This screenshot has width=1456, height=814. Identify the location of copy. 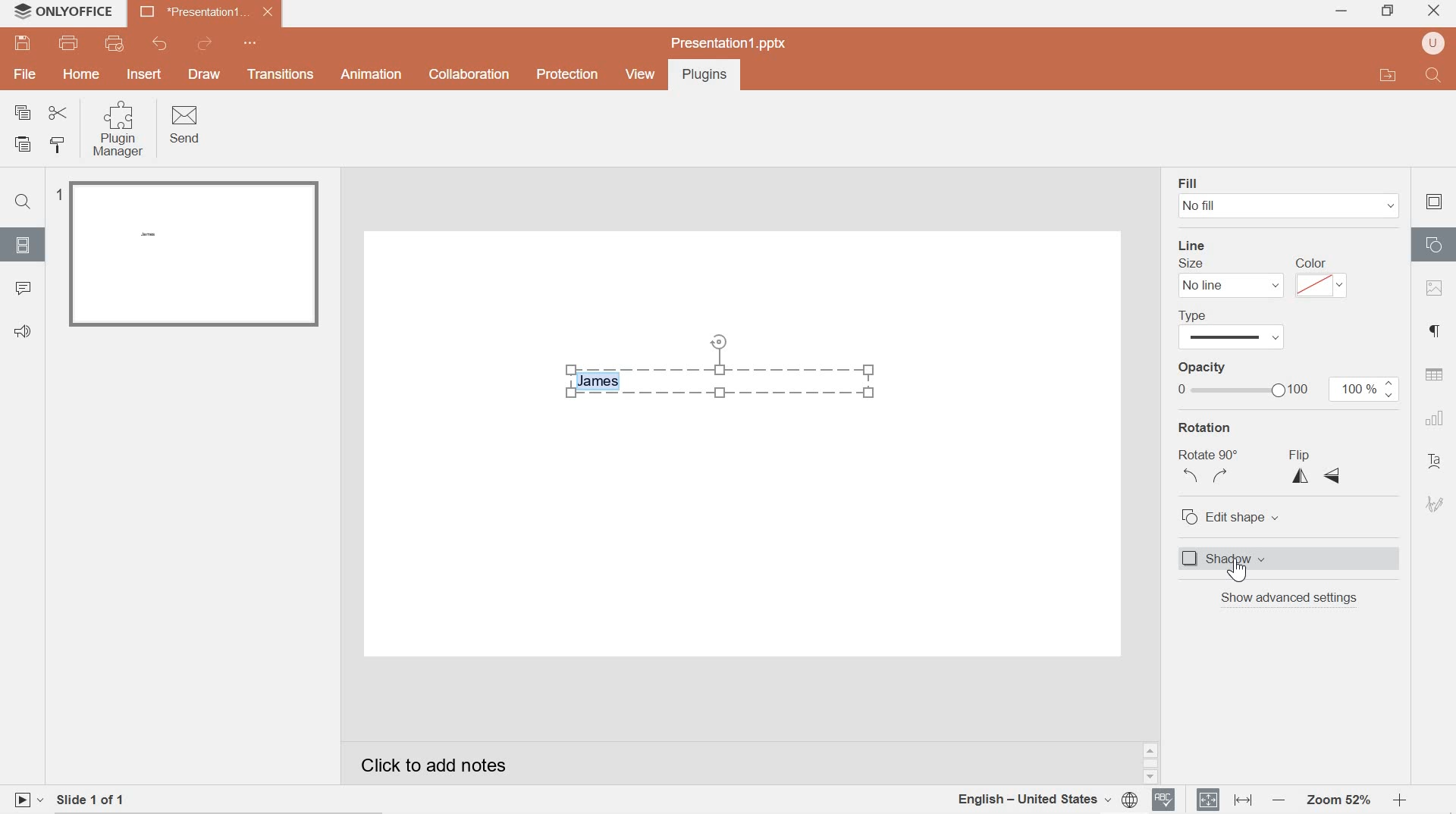
(23, 112).